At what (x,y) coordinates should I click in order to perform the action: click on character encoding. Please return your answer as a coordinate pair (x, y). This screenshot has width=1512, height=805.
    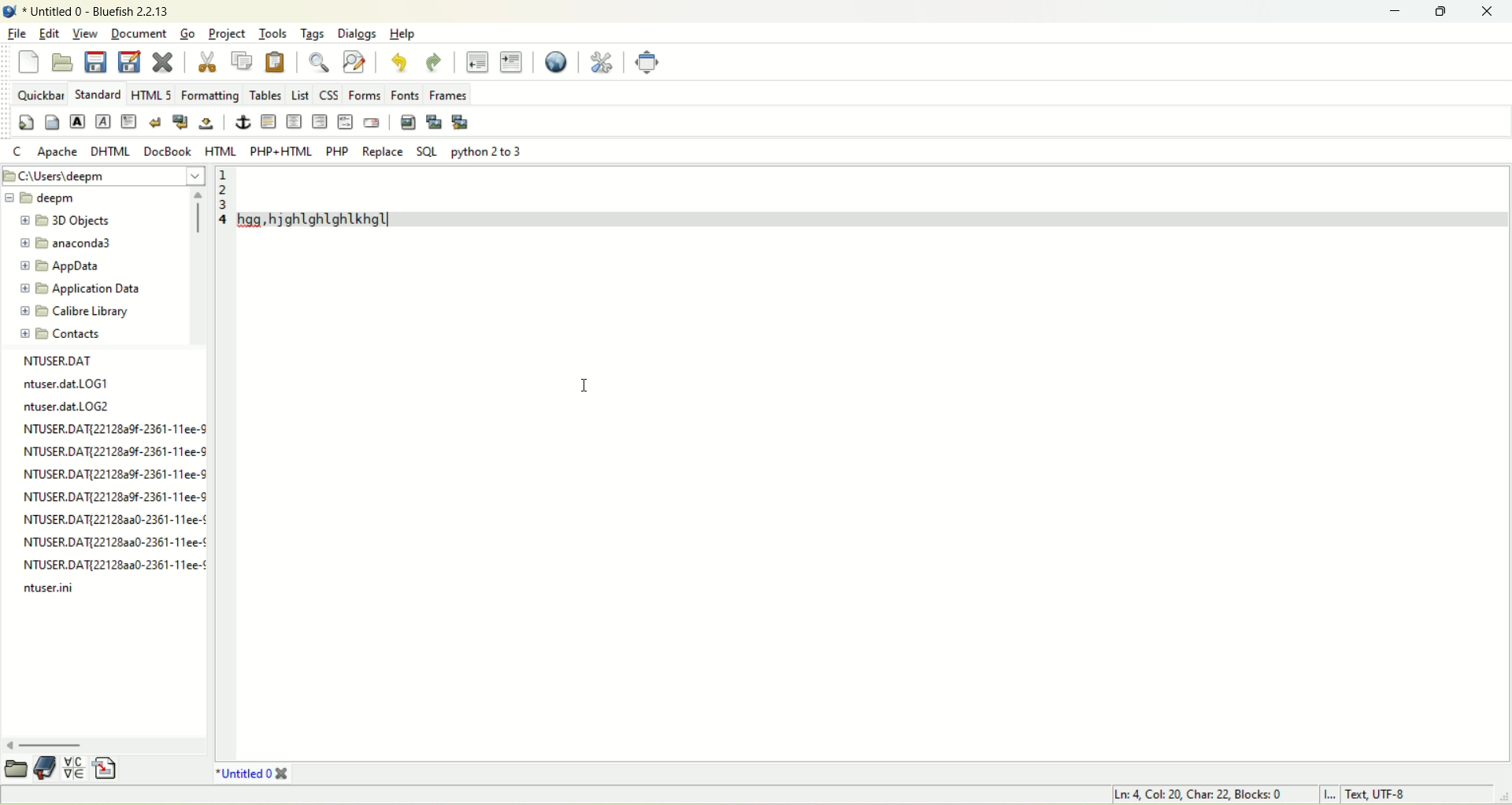
    Looking at the image, I should click on (1407, 796).